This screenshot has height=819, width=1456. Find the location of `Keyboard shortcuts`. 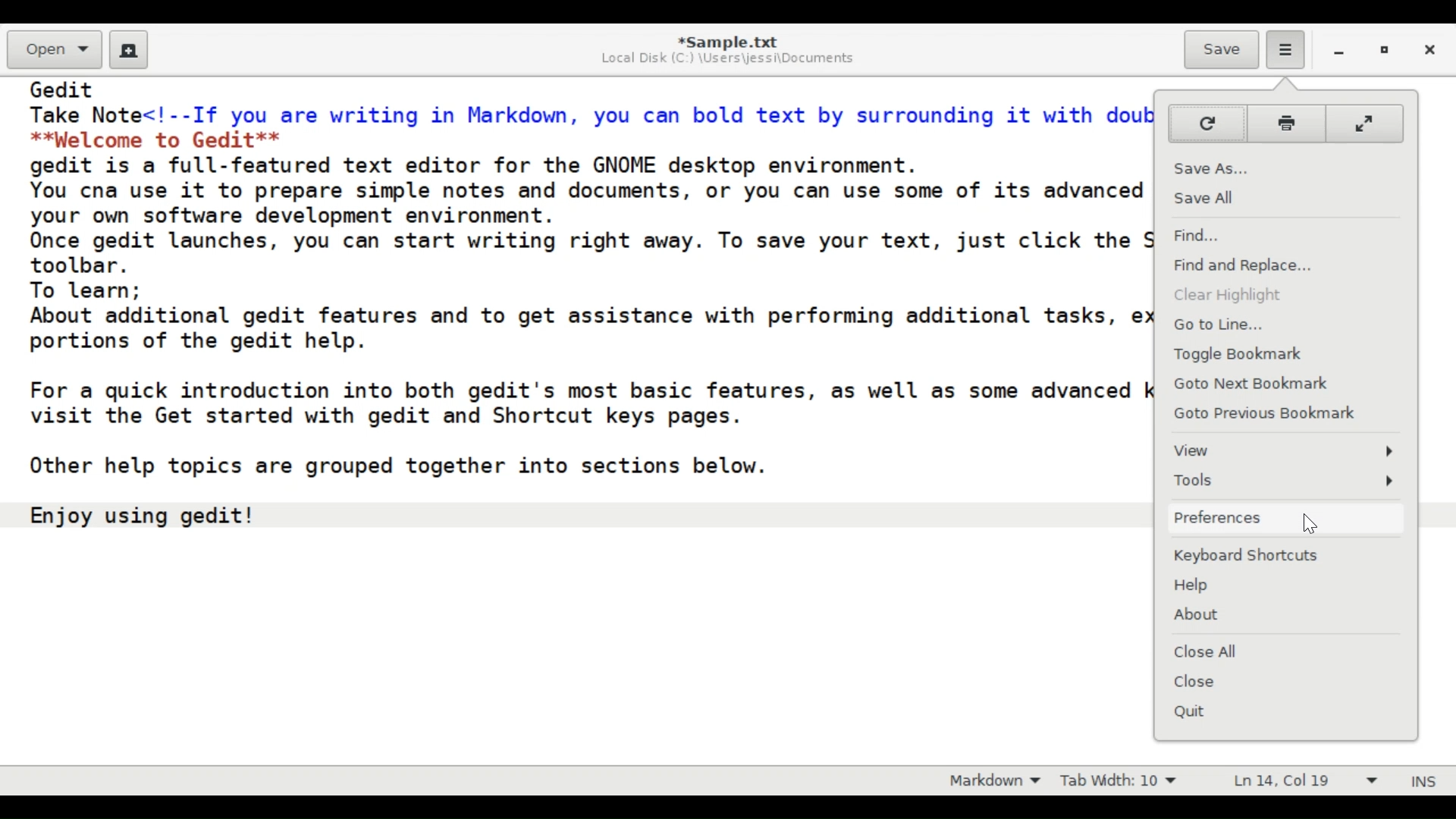

Keyboard shortcuts is located at coordinates (1288, 555).